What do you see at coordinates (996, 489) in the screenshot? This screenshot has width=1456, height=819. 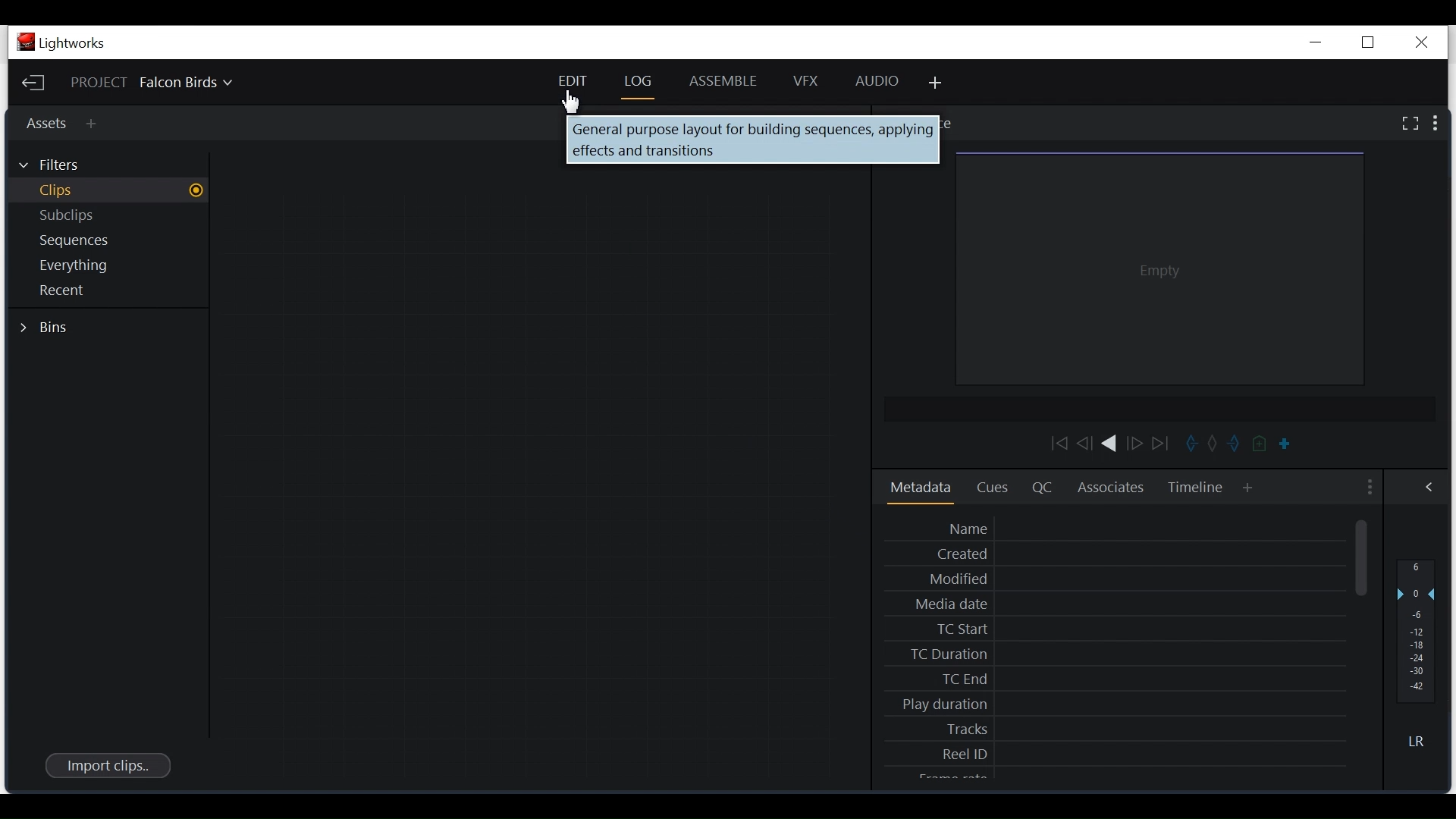 I see `Cues` at bounding box center [996, 489].